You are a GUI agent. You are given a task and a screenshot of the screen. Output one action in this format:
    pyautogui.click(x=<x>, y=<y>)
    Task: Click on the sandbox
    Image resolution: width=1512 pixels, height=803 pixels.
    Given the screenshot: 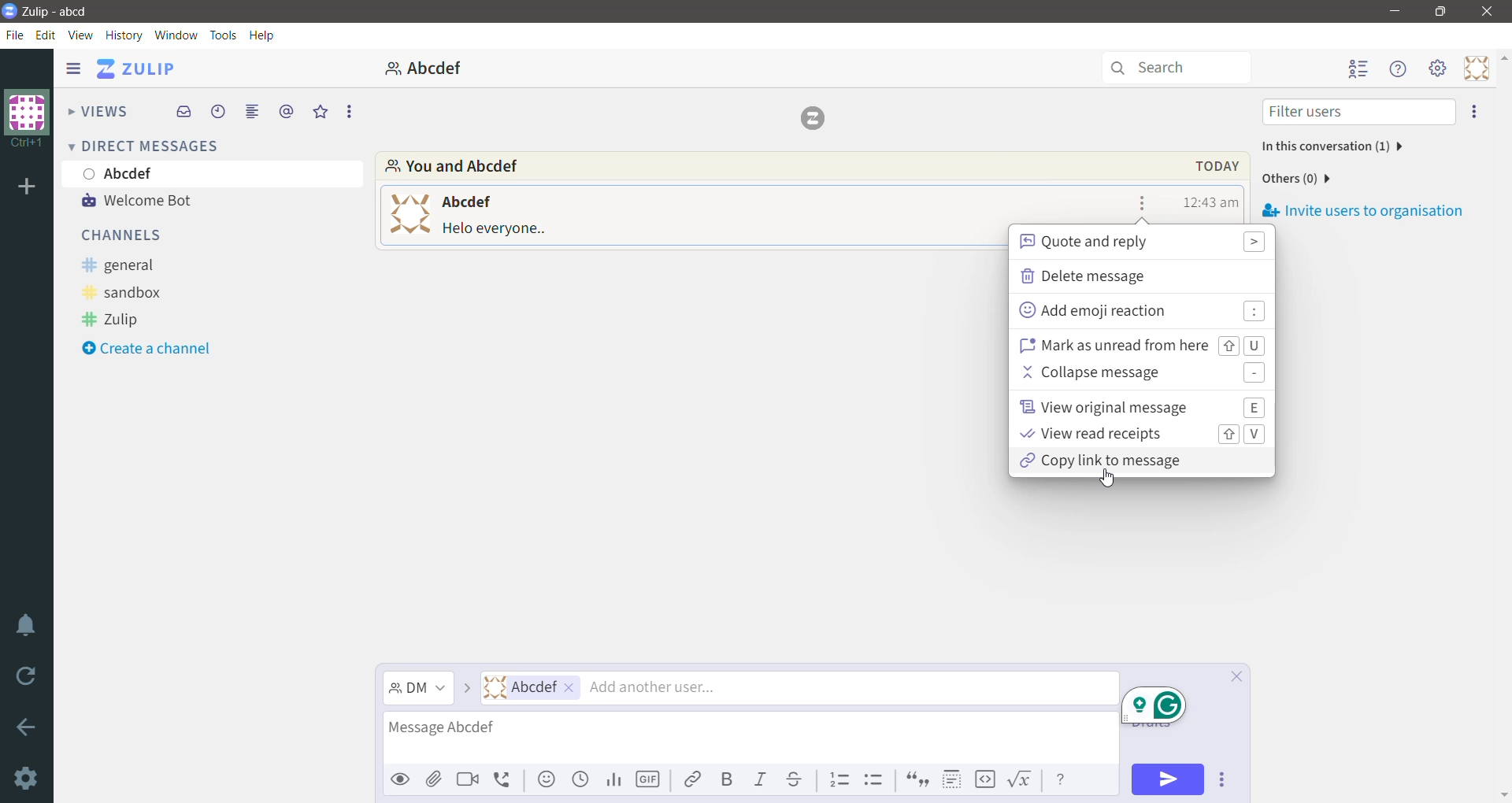 What is the action you would take?
    pyautogui.click(x=132, y=292)
    